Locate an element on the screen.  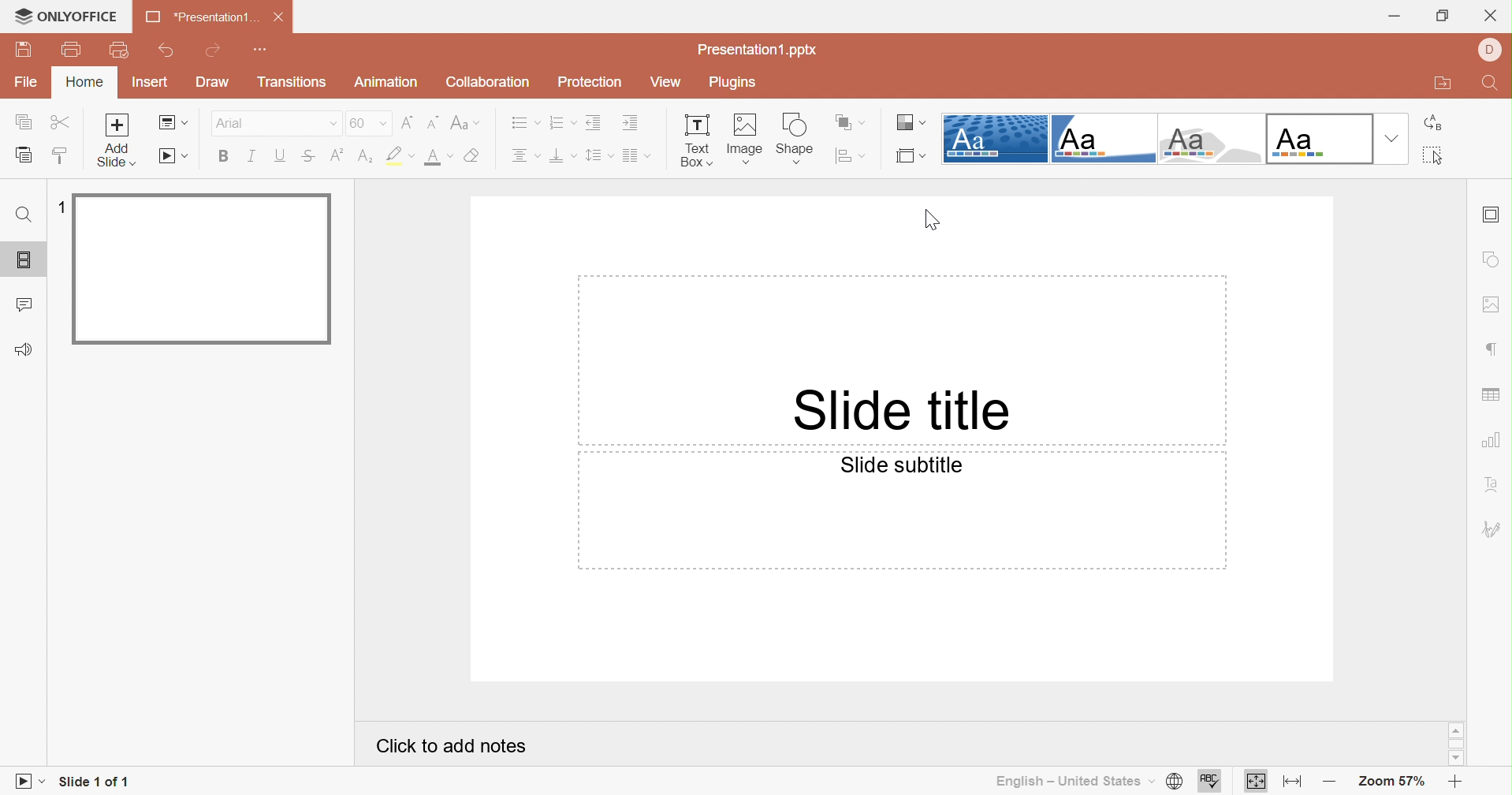
Dotted is located at coordinates (994, 137).